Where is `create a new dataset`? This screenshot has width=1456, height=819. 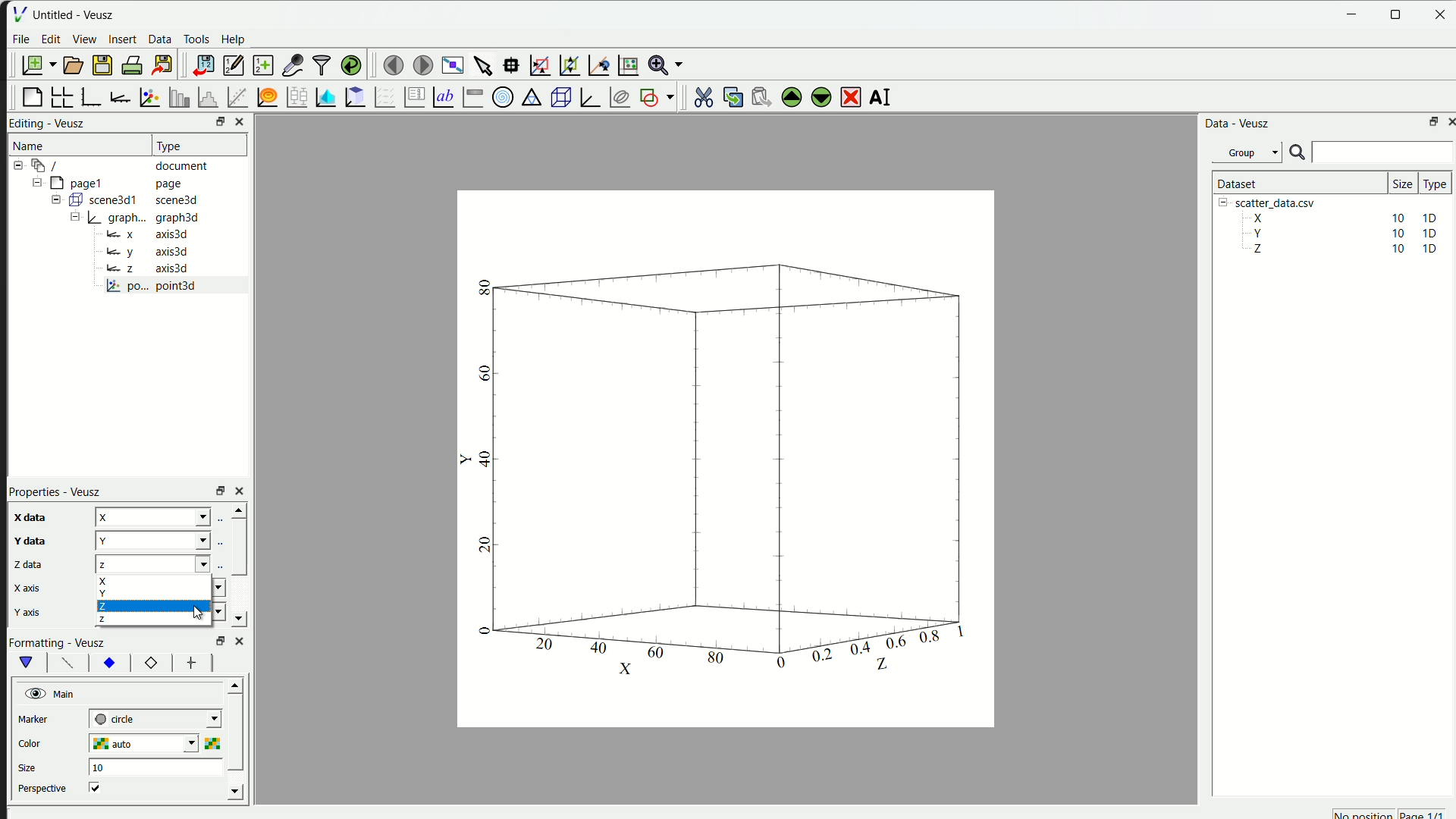
create a new dataset is located at coordinates (262, 64).